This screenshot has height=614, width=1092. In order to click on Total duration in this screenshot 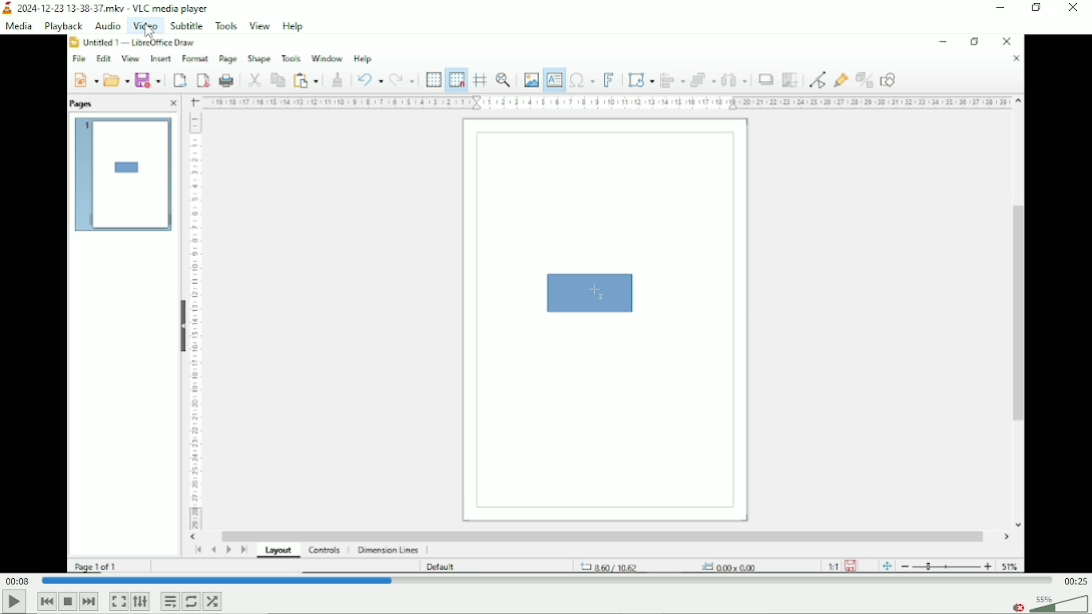, I will do `click(1076, 580)`.